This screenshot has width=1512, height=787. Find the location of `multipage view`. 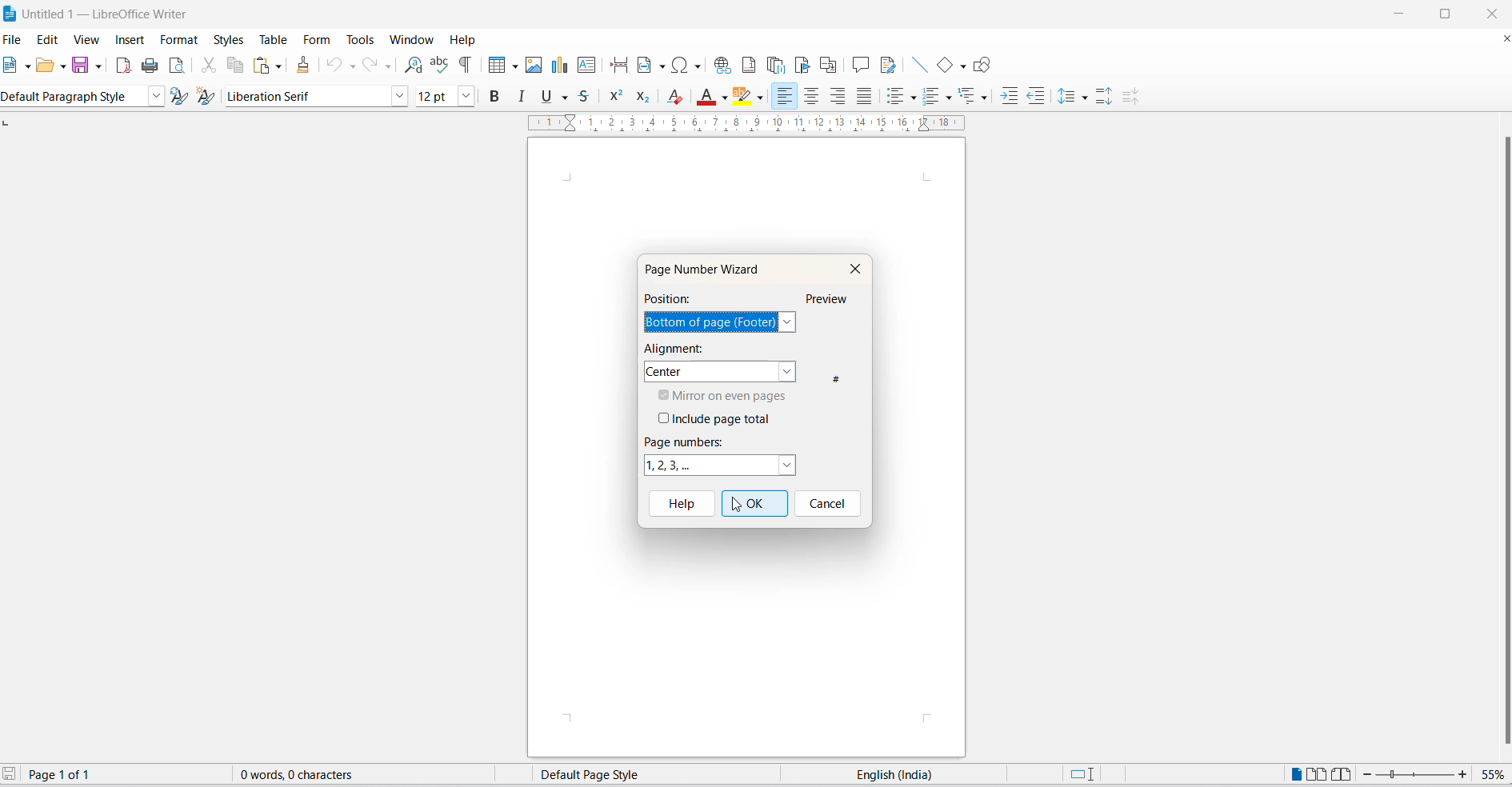

multipage view is located at coordinates (1318, 775).